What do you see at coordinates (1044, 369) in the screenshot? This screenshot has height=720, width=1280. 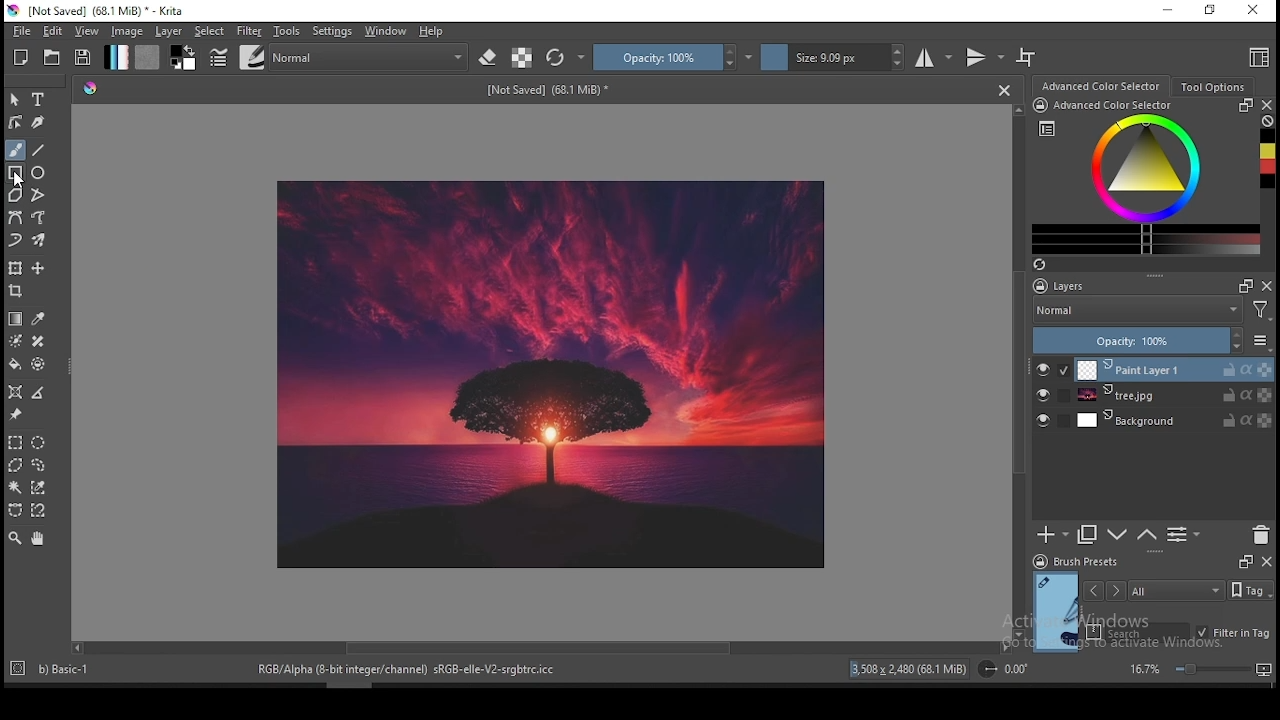 I see `layer visibility on/off` at bounding box center [1044, 369].